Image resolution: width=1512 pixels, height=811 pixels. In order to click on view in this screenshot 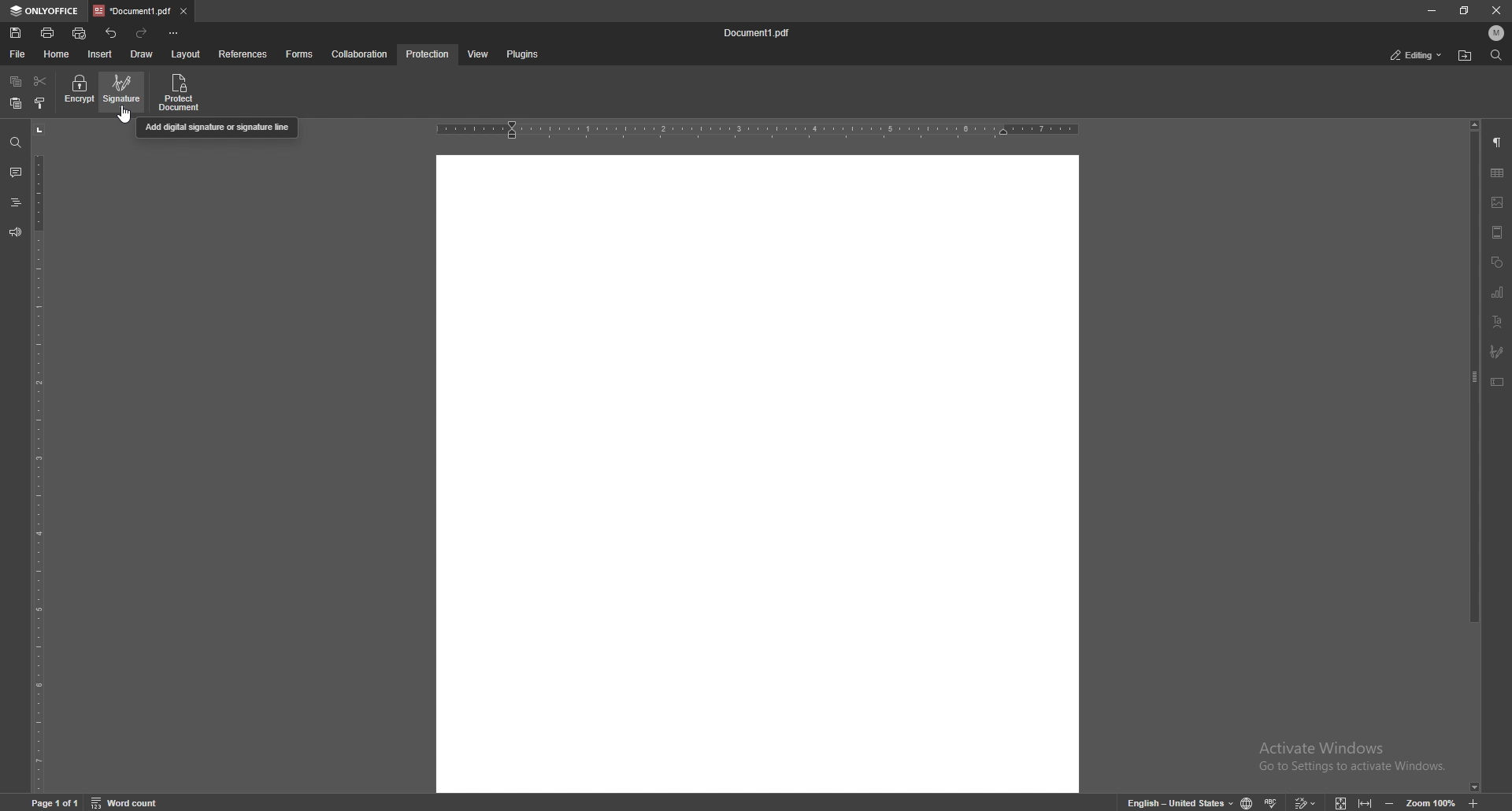, I will do `click(475, 55)`.